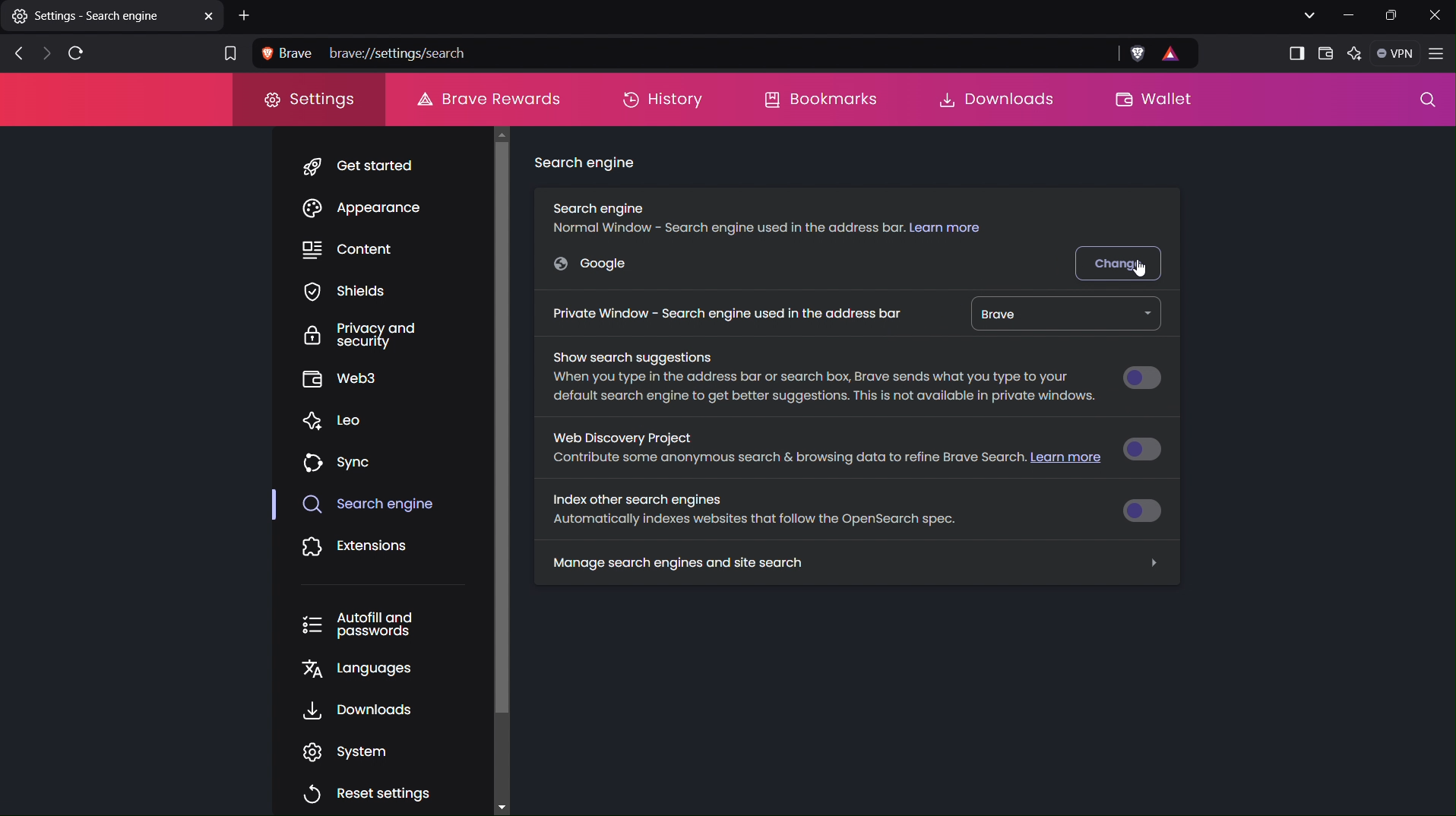  I want to click on Button, so click(1149, 448).